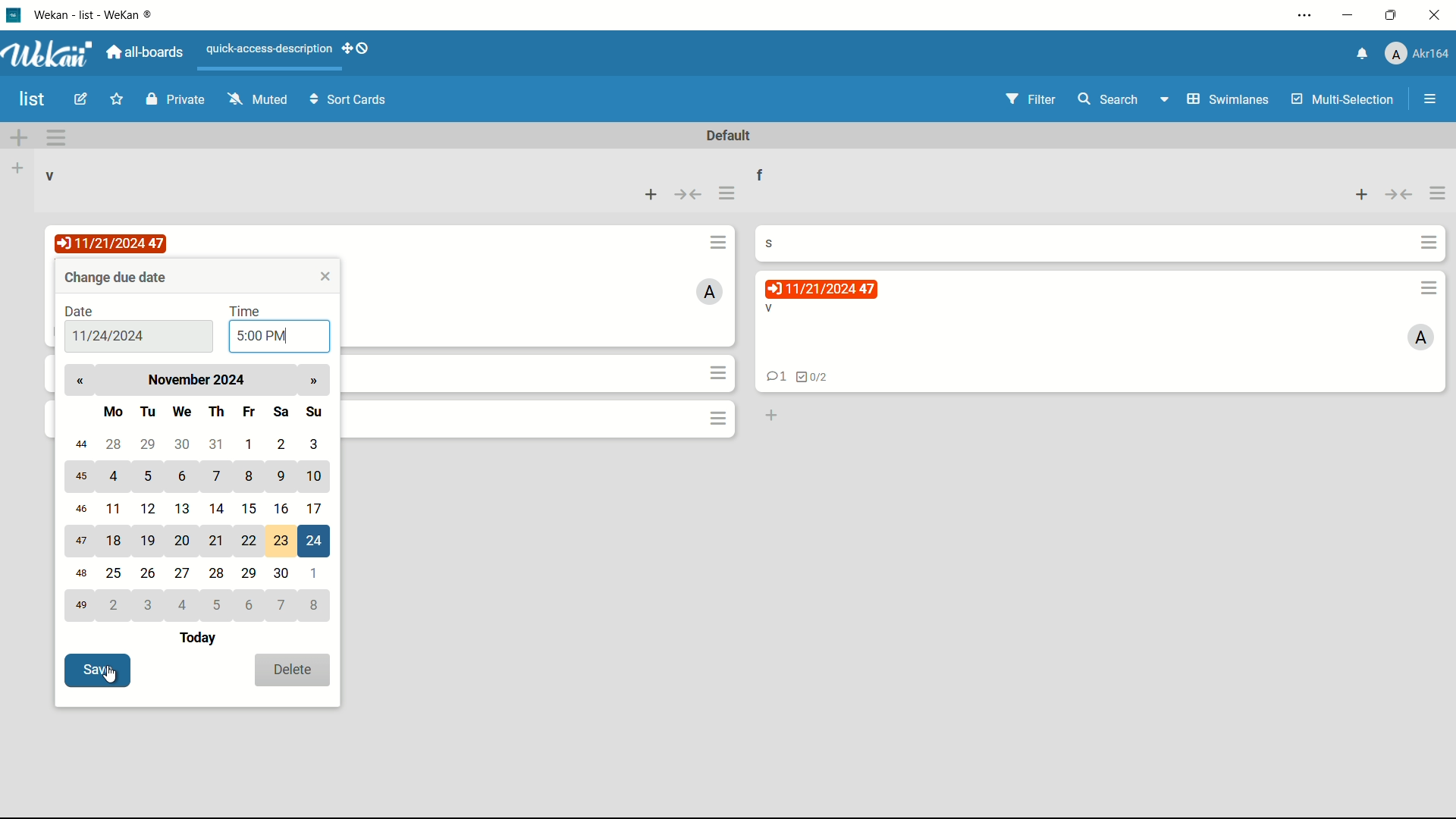 This screenshot has width=1456, height=819. What do you see at coordinates (689, 194) in the screenshot?
I see `collapse` at bounding box center [689, 194].